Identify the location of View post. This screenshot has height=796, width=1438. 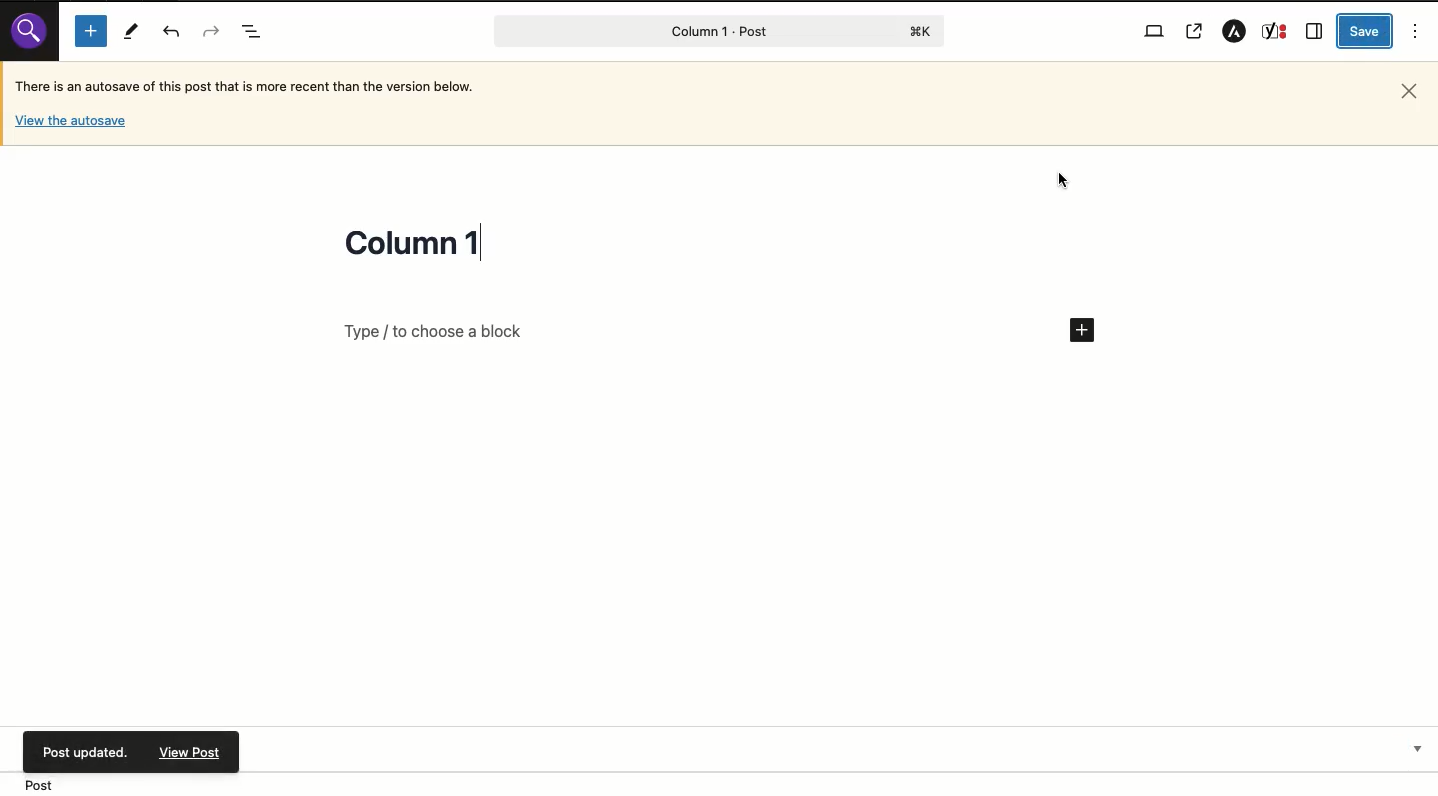
(1195, 33).